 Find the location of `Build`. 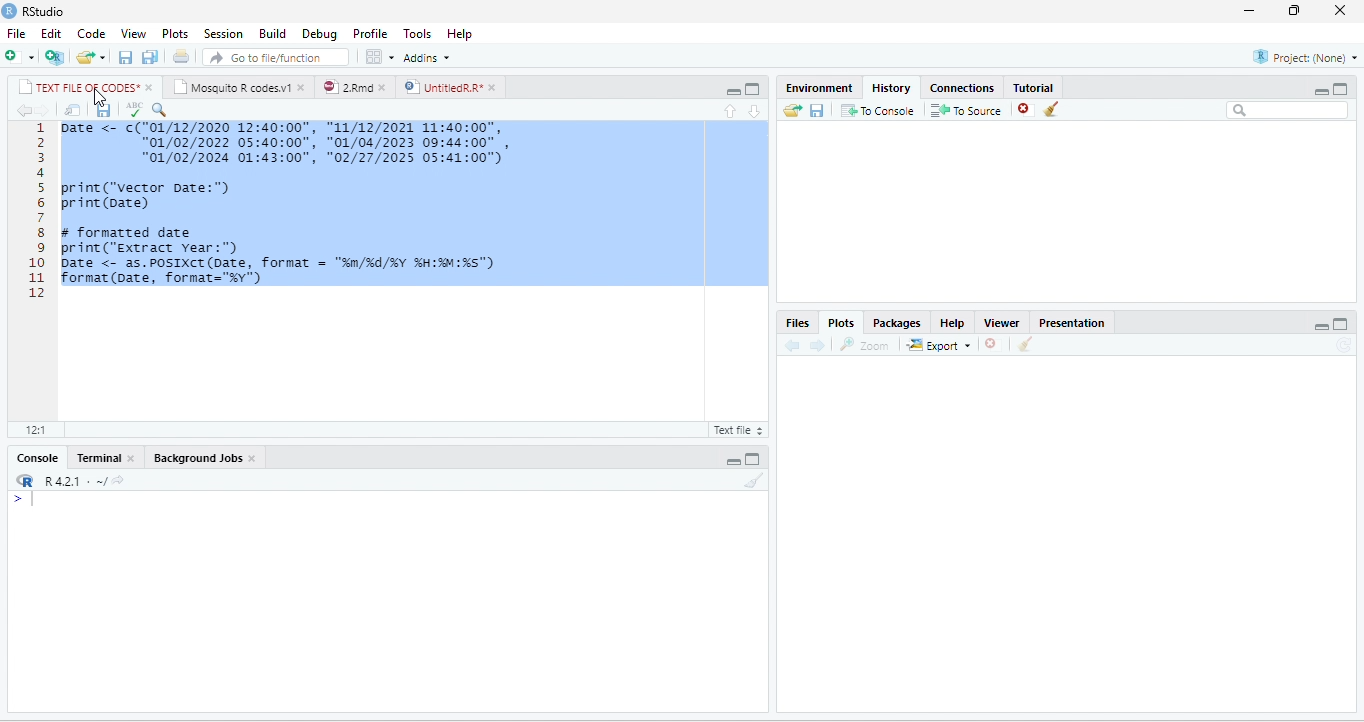

Build is located at coordinates (273, 34).